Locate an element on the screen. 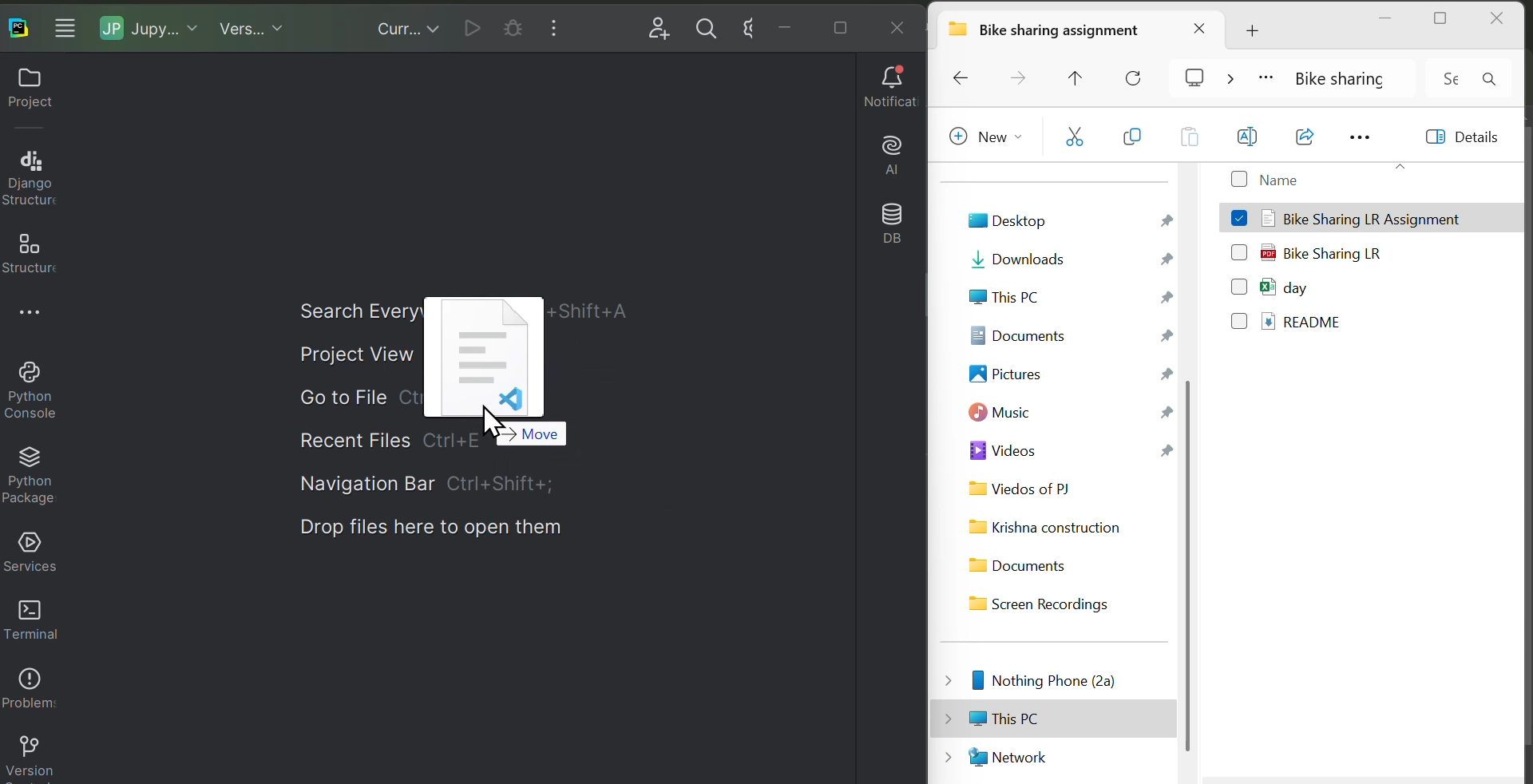 The width and height of the screenshot is (1533, 784).  is located at coordinates (1448, 78).